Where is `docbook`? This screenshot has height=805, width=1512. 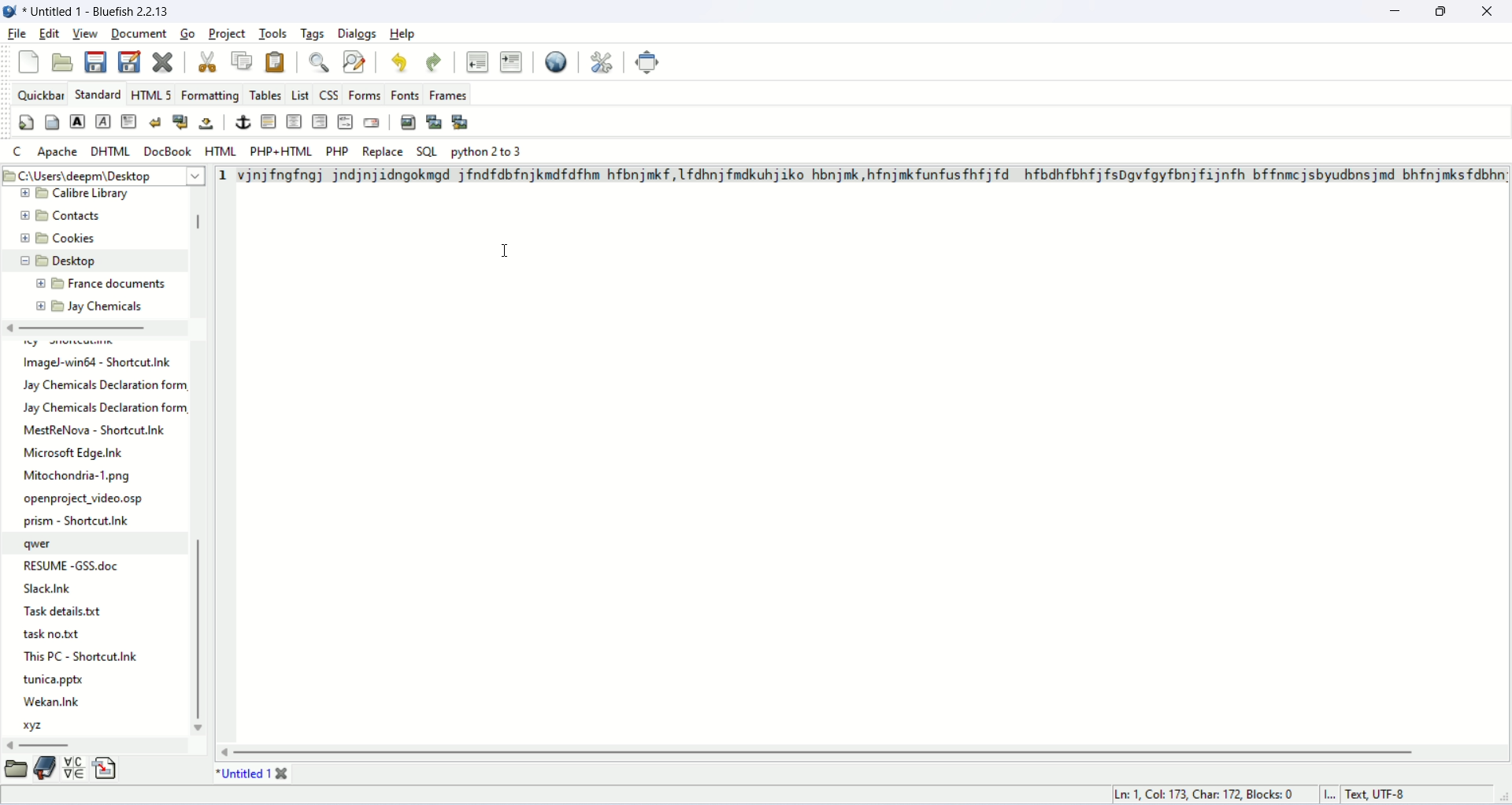
docbook is located at coordinates (167, 151).